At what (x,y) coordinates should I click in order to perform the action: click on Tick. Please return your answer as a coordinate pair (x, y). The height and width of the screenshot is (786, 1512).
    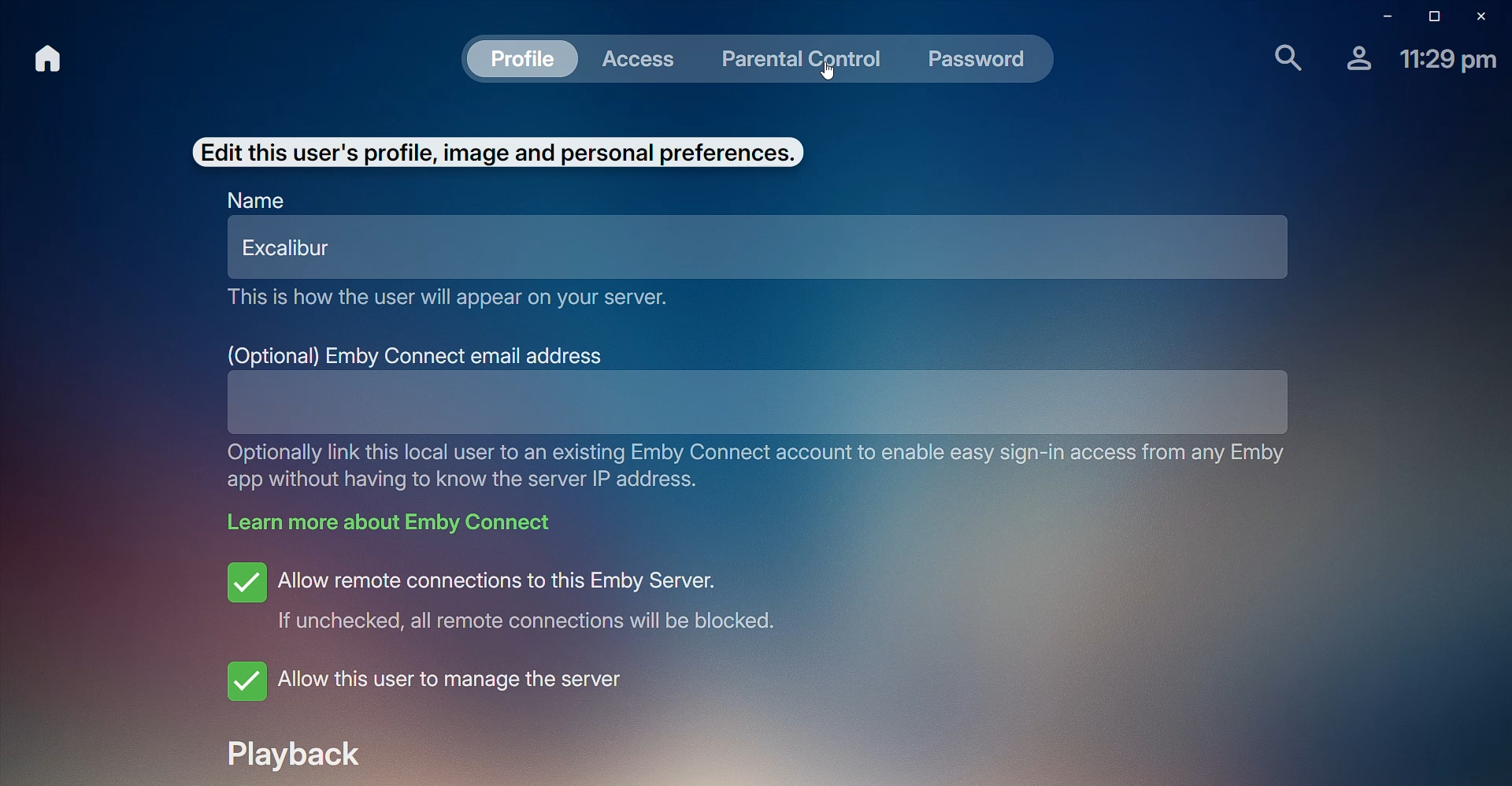
    Looking at the image, I should click on (244, 680).